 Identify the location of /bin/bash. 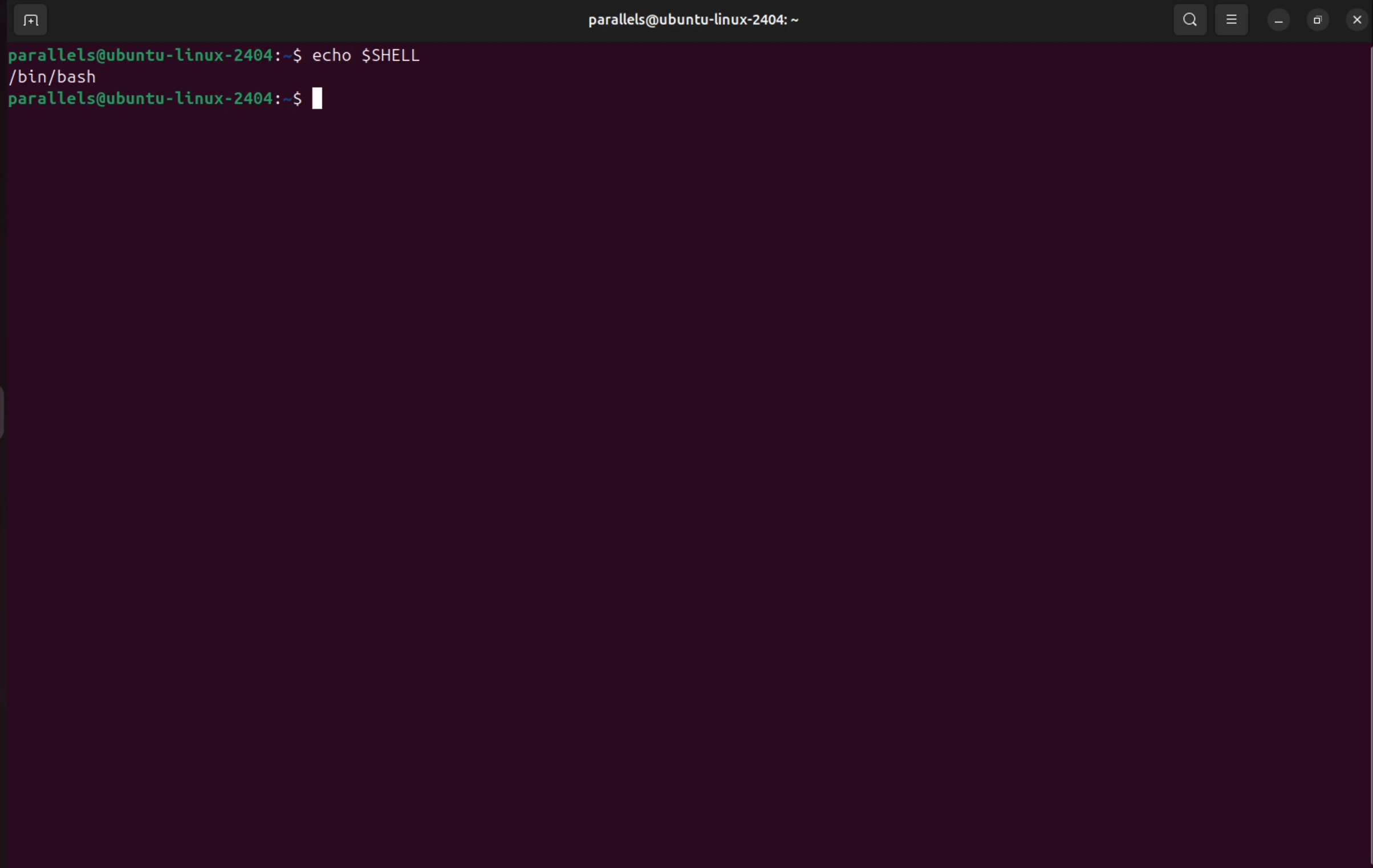
(59, 76).